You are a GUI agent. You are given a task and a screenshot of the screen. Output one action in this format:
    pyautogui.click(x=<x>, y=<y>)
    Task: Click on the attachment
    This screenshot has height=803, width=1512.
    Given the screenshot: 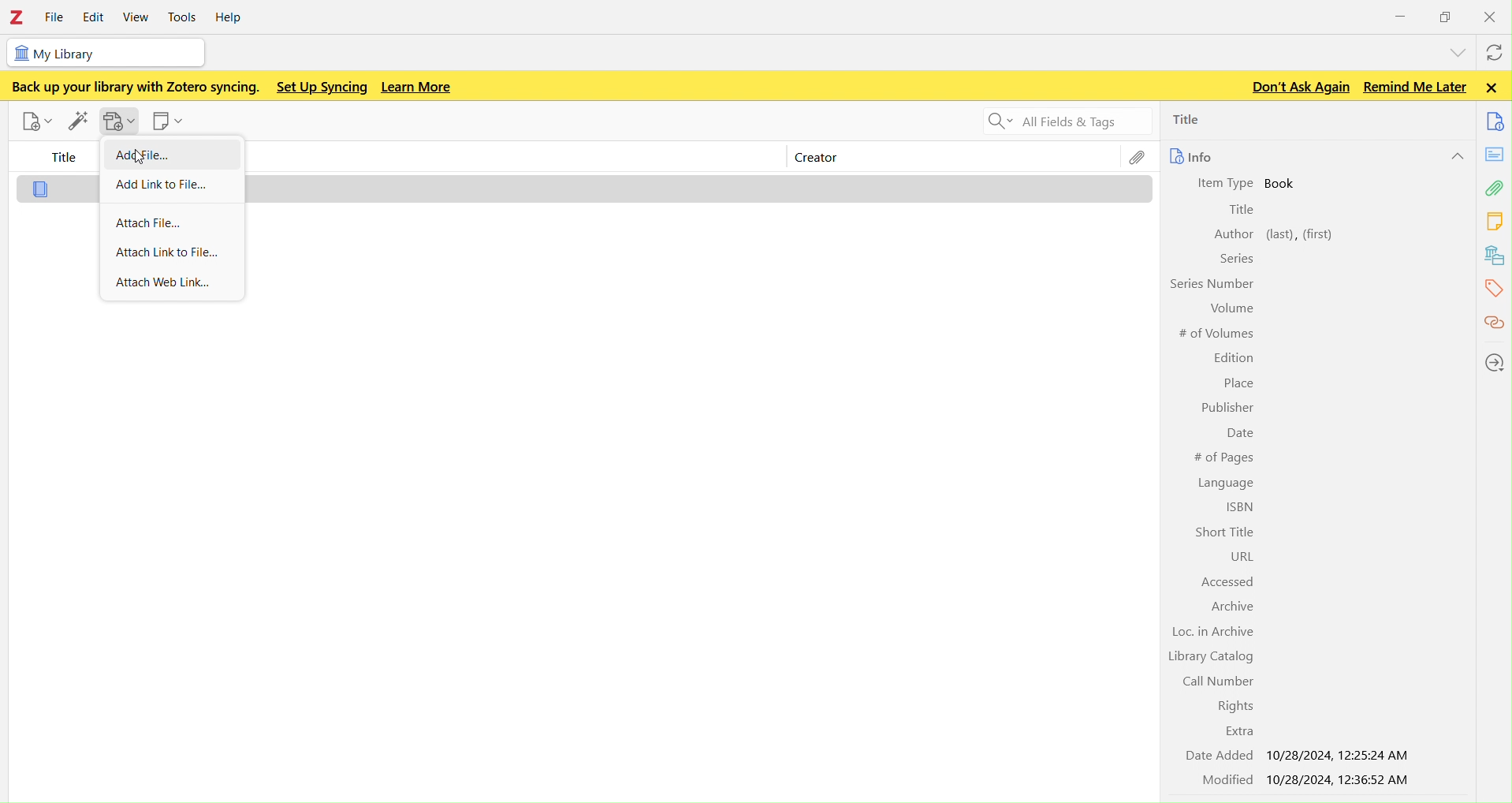 What is the action you would take?
    pyautogui.click(x=1496, y=188)
    